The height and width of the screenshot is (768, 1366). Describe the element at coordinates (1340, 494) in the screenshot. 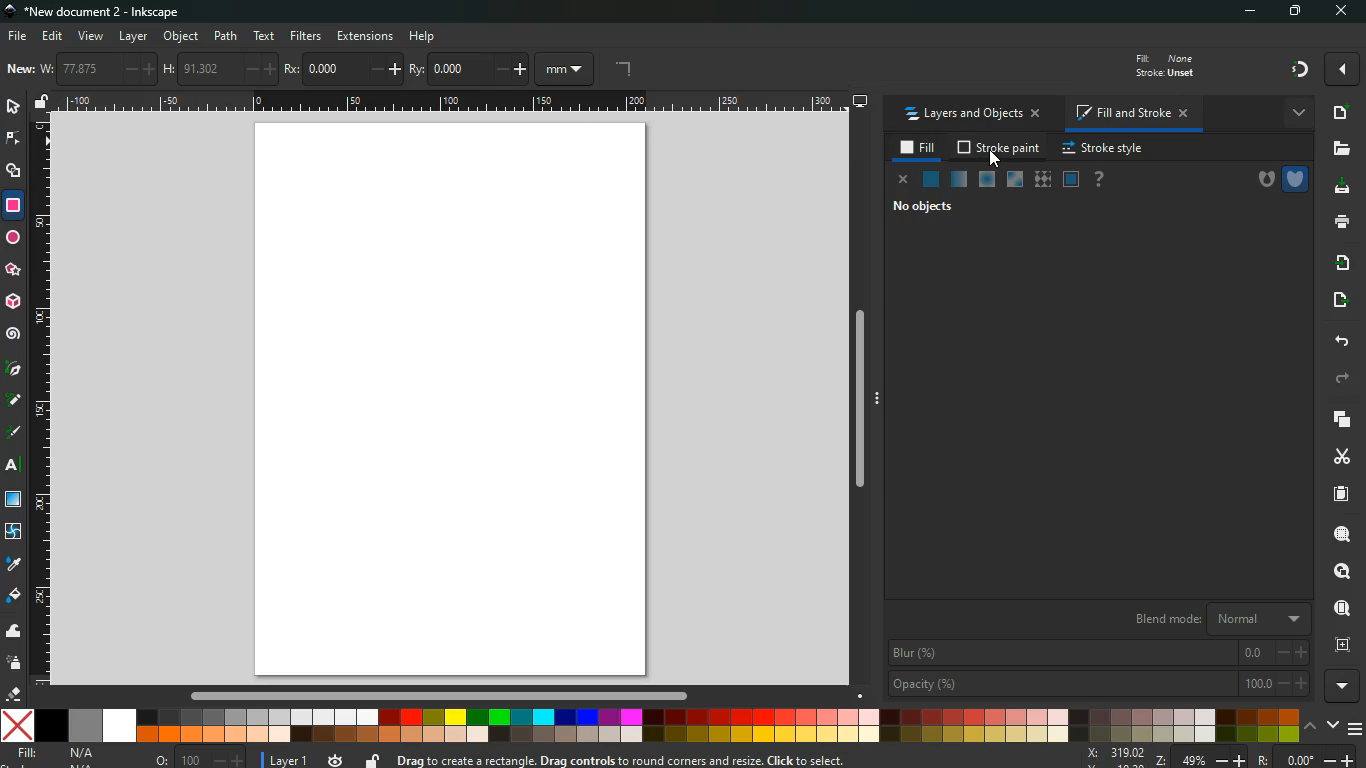

I see `paper` at that location.